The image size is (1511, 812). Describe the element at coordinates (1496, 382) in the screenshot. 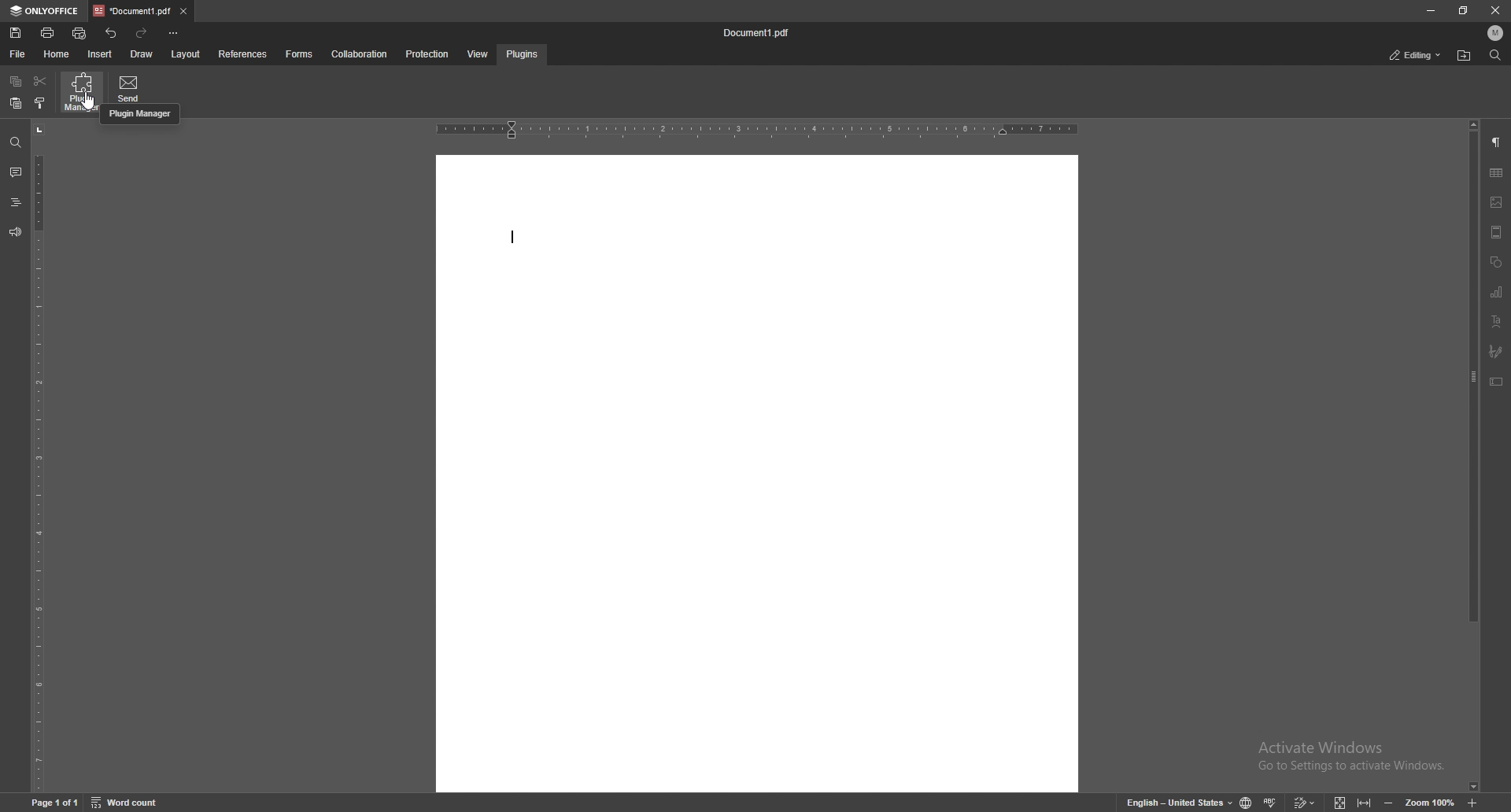

I see `text box` at that location.